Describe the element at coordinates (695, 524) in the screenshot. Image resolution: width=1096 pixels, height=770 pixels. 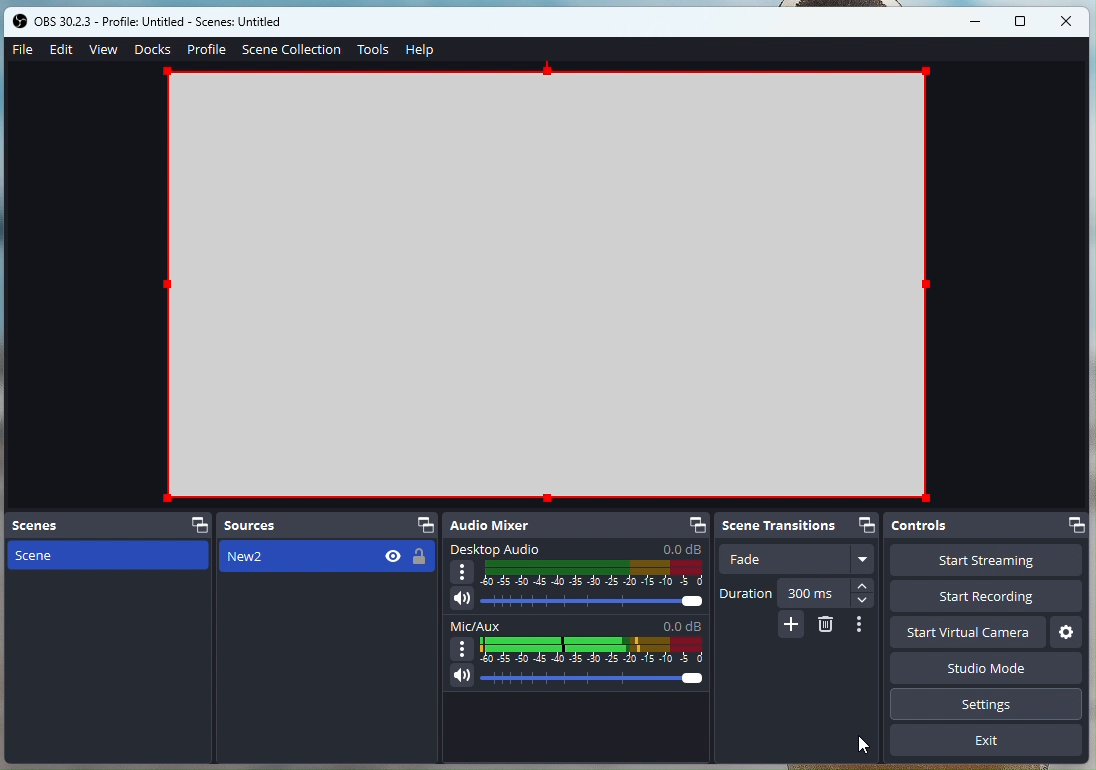
I see `dock options` at that location.